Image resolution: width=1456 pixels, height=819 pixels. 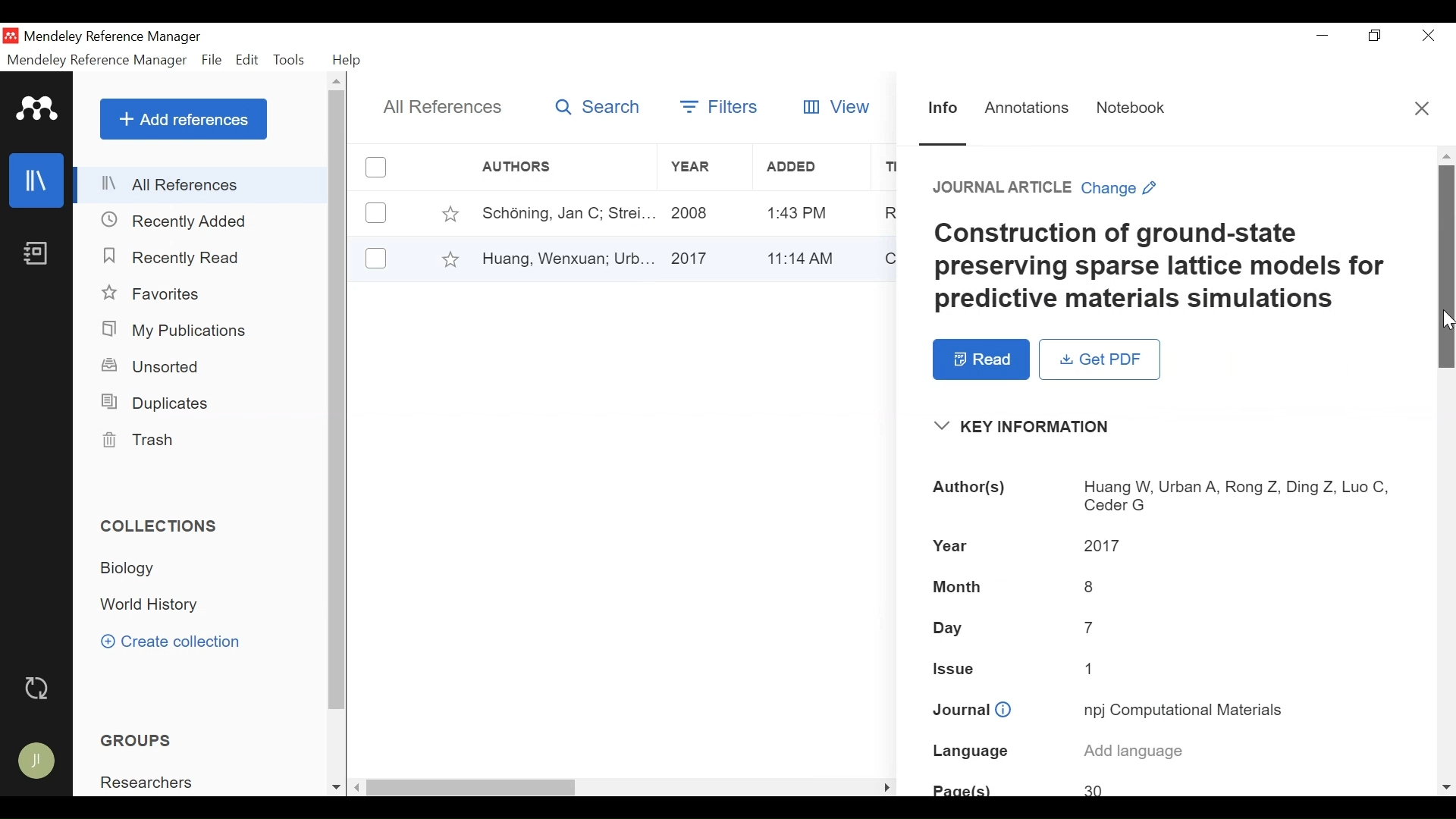 What do you see at coordinates (180, 259) in the screenshot?
I see `Recently Read` at bounding box center [180, 259].